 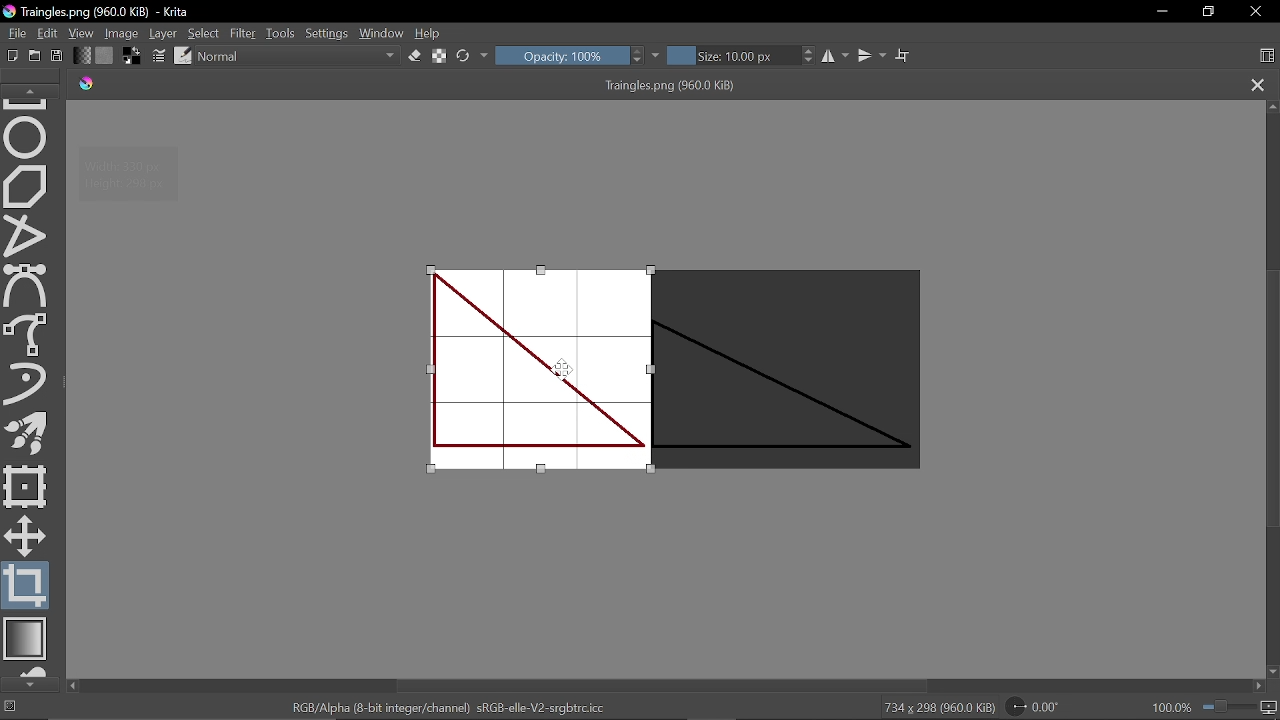 What do you see at coordinates (99, 13) in the screenshot?
I see `Traingles.png (960.0 KiB) - Krita` at bounding box center [99, 13].